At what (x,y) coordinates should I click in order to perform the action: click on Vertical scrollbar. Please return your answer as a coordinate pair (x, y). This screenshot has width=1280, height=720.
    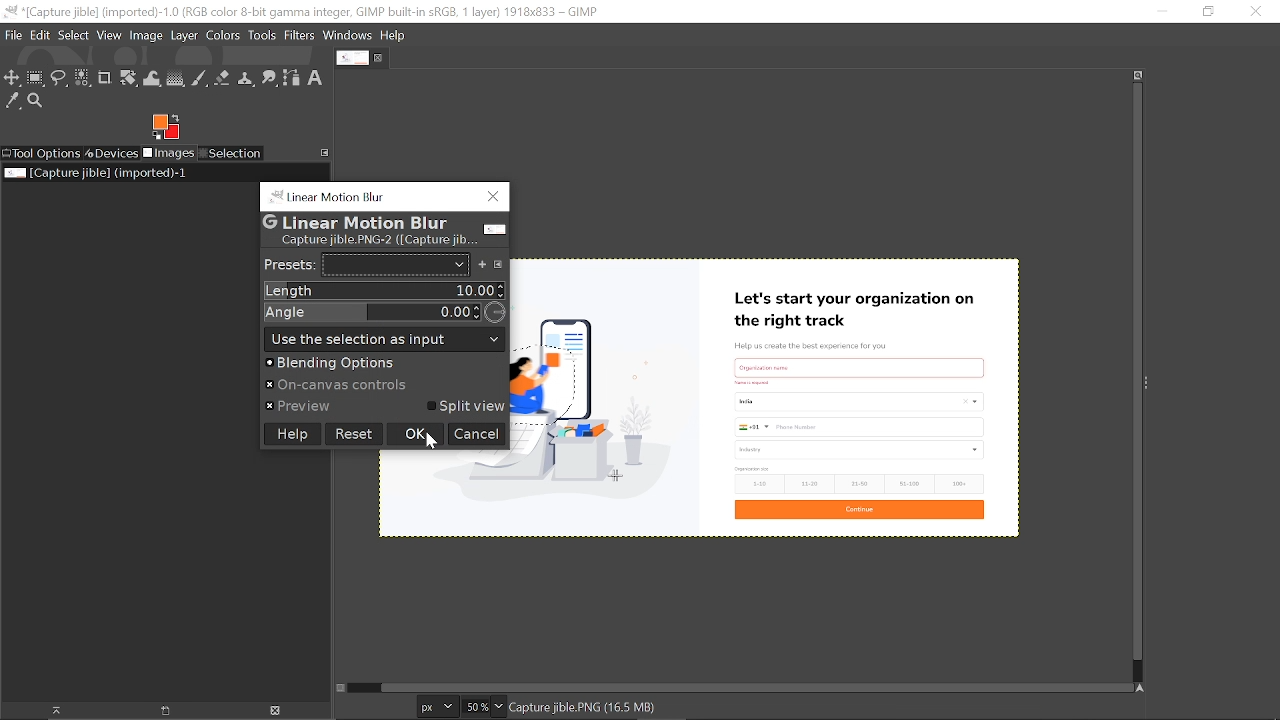
    Looking at the image, I should click on (1134, 374).